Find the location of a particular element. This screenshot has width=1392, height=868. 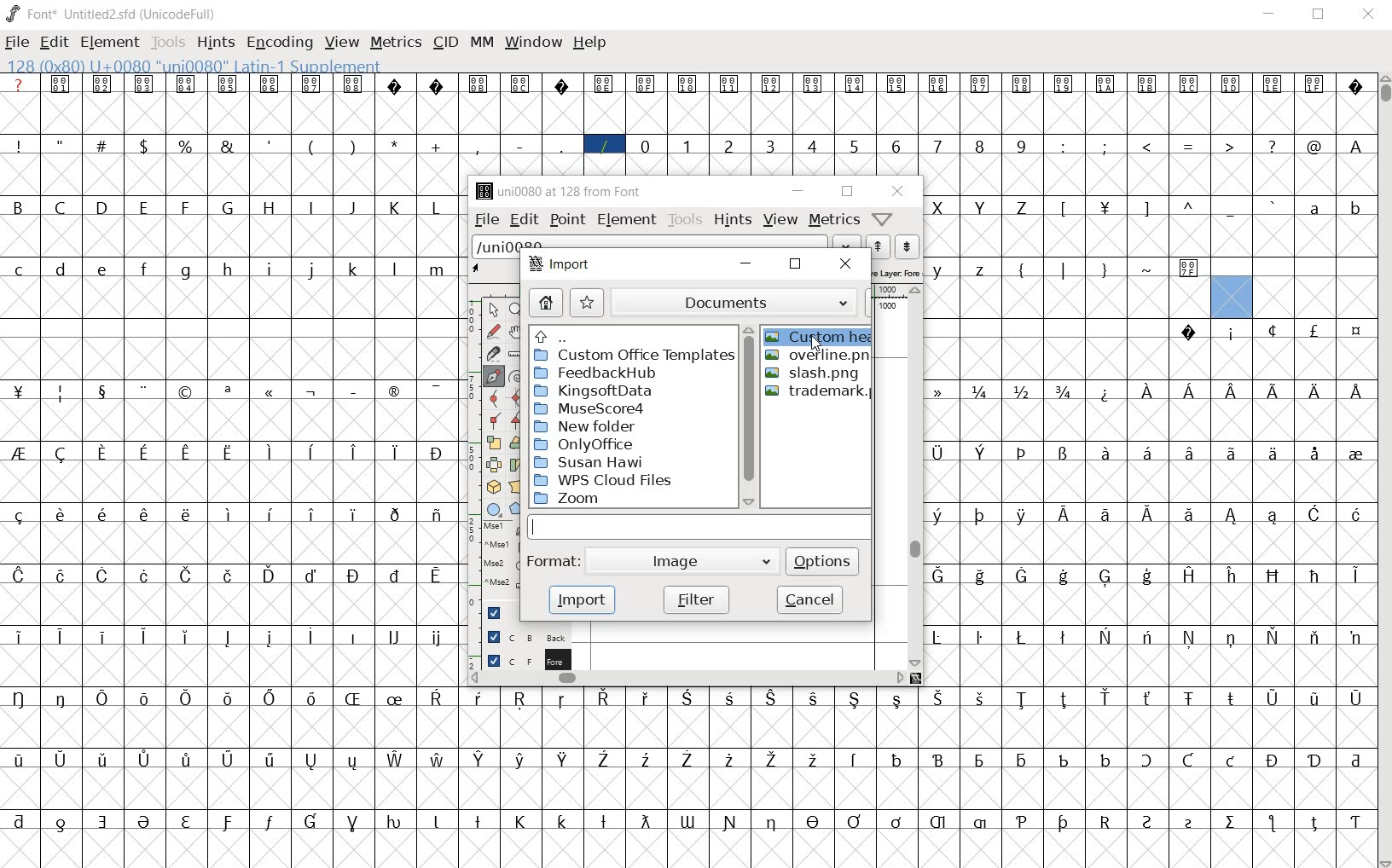

tools is located at coordinates (684, 219).